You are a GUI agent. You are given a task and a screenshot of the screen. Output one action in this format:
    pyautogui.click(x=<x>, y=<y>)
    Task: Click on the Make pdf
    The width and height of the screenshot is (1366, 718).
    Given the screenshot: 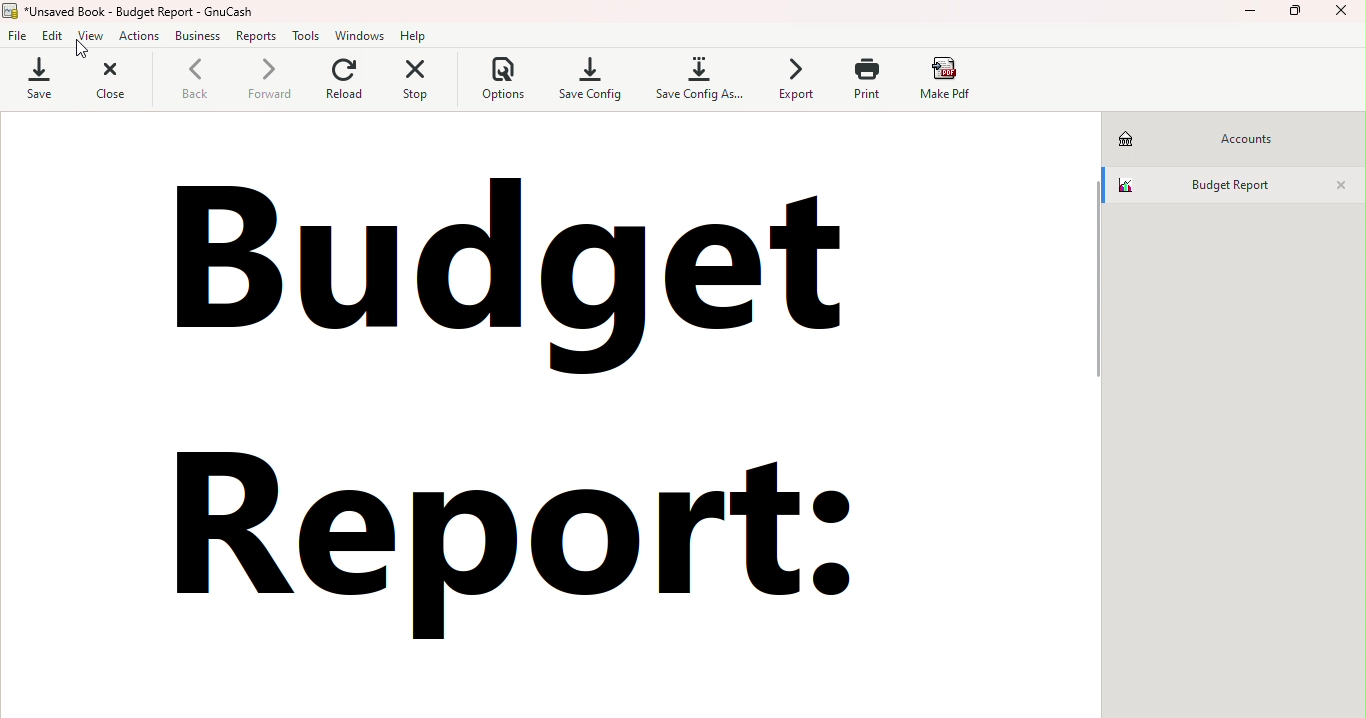 What is the action you would take?
    pyautogui.click(x=952, y=80)
    